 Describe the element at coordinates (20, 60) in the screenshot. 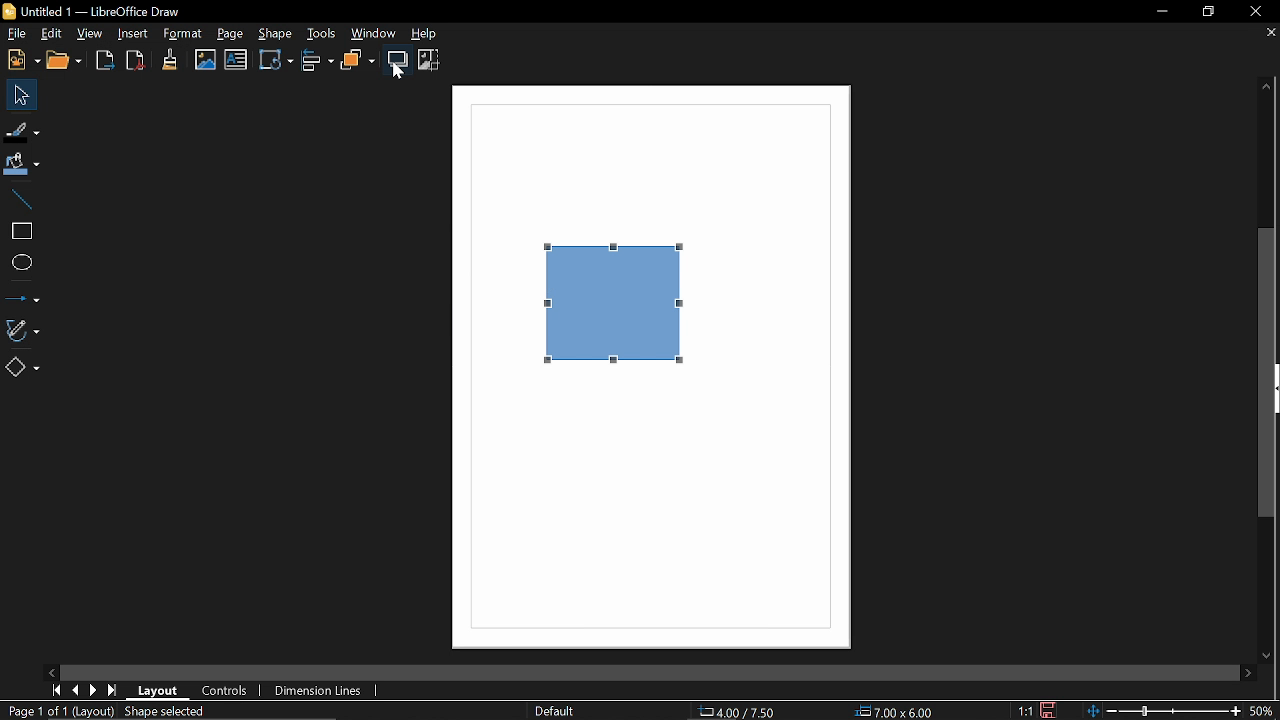

I see `New` at that location.